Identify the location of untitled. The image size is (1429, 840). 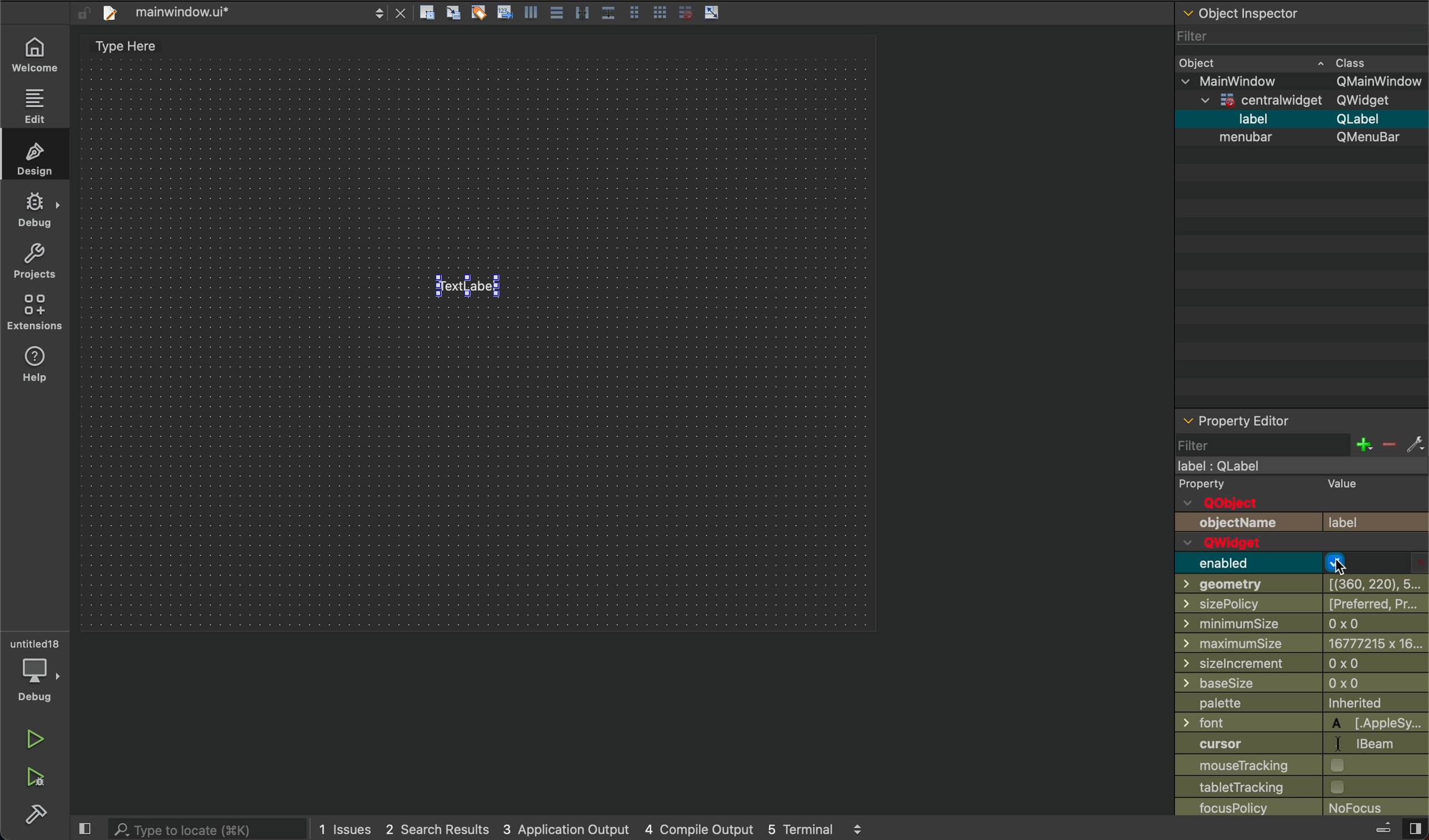
(34, 635).